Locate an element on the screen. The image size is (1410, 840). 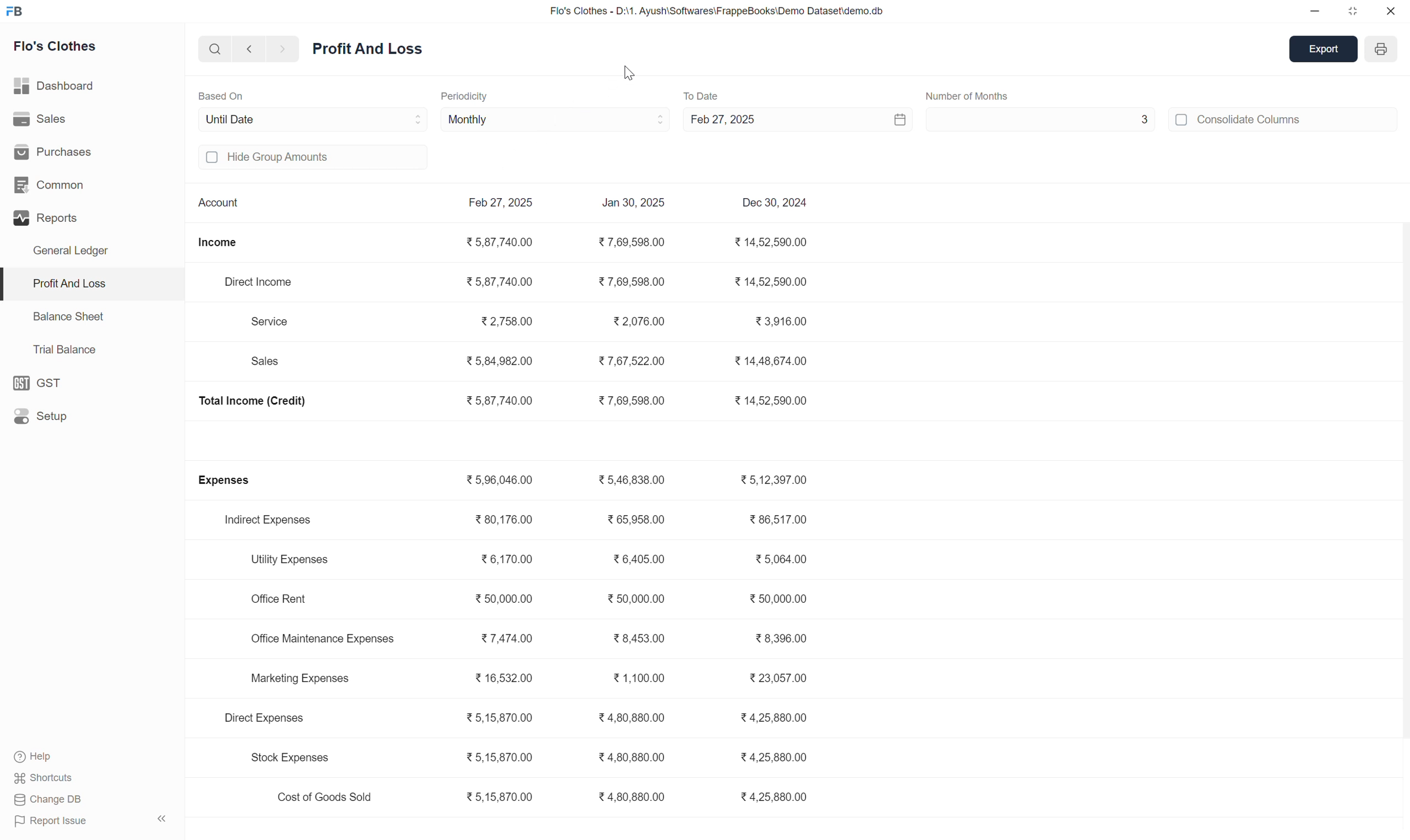
₹5,96,046.00 is located at coordinates (494, 481).